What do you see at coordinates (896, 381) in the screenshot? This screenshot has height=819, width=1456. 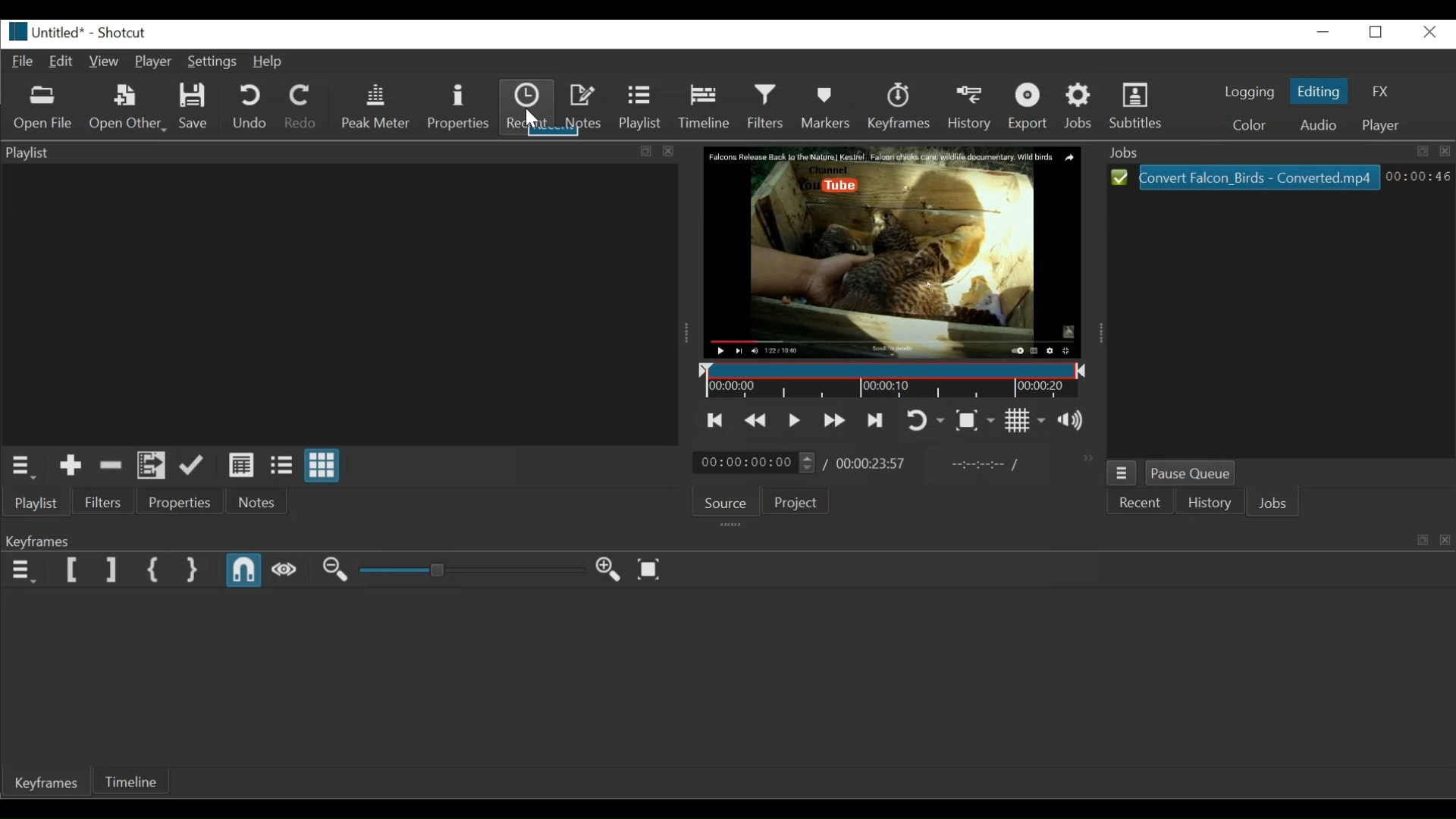 I see `Timeline` at bounding box center [896, 381].